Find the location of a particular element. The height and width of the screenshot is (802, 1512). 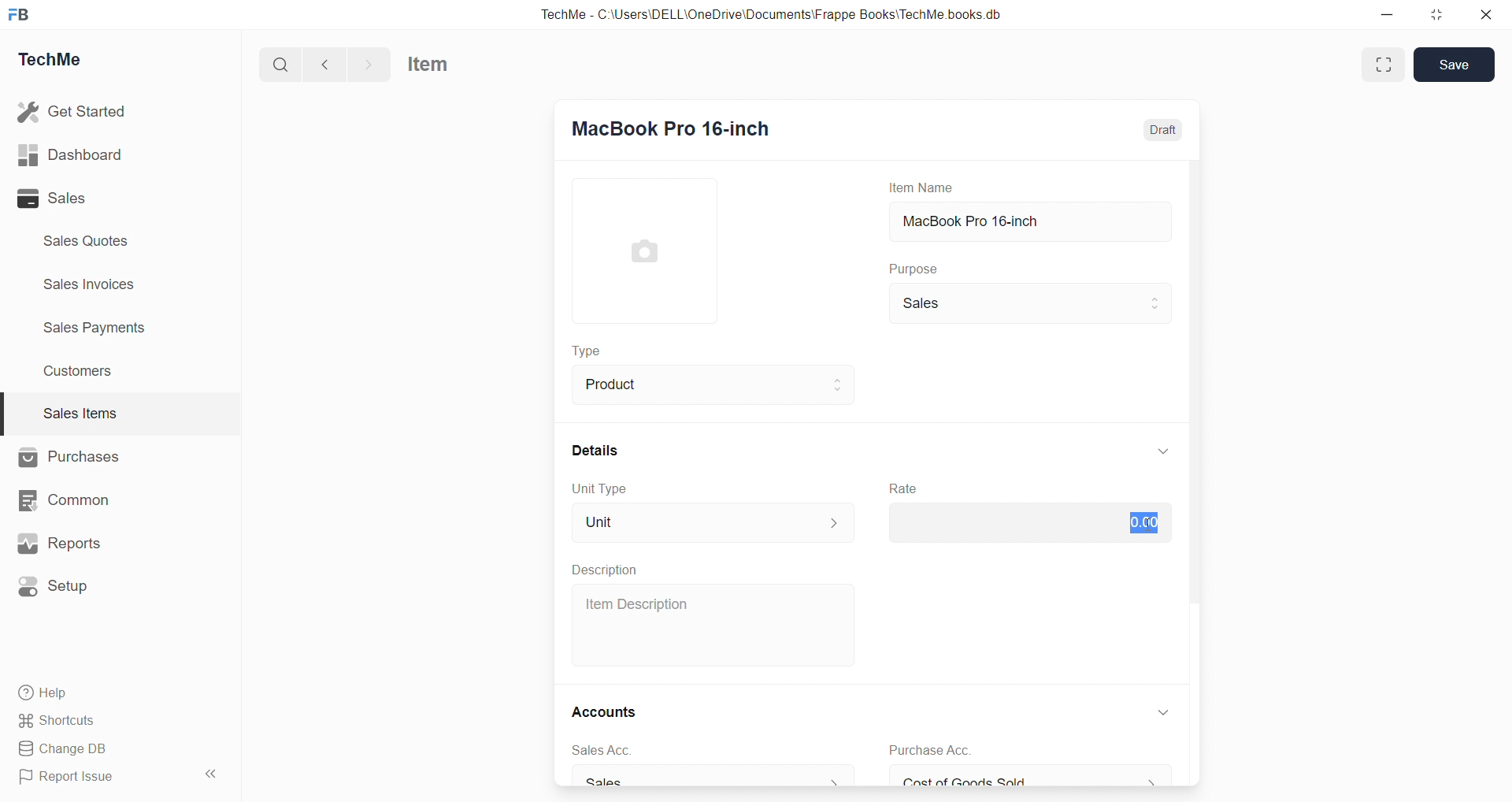

Save is located at coordinates (1458, 65).